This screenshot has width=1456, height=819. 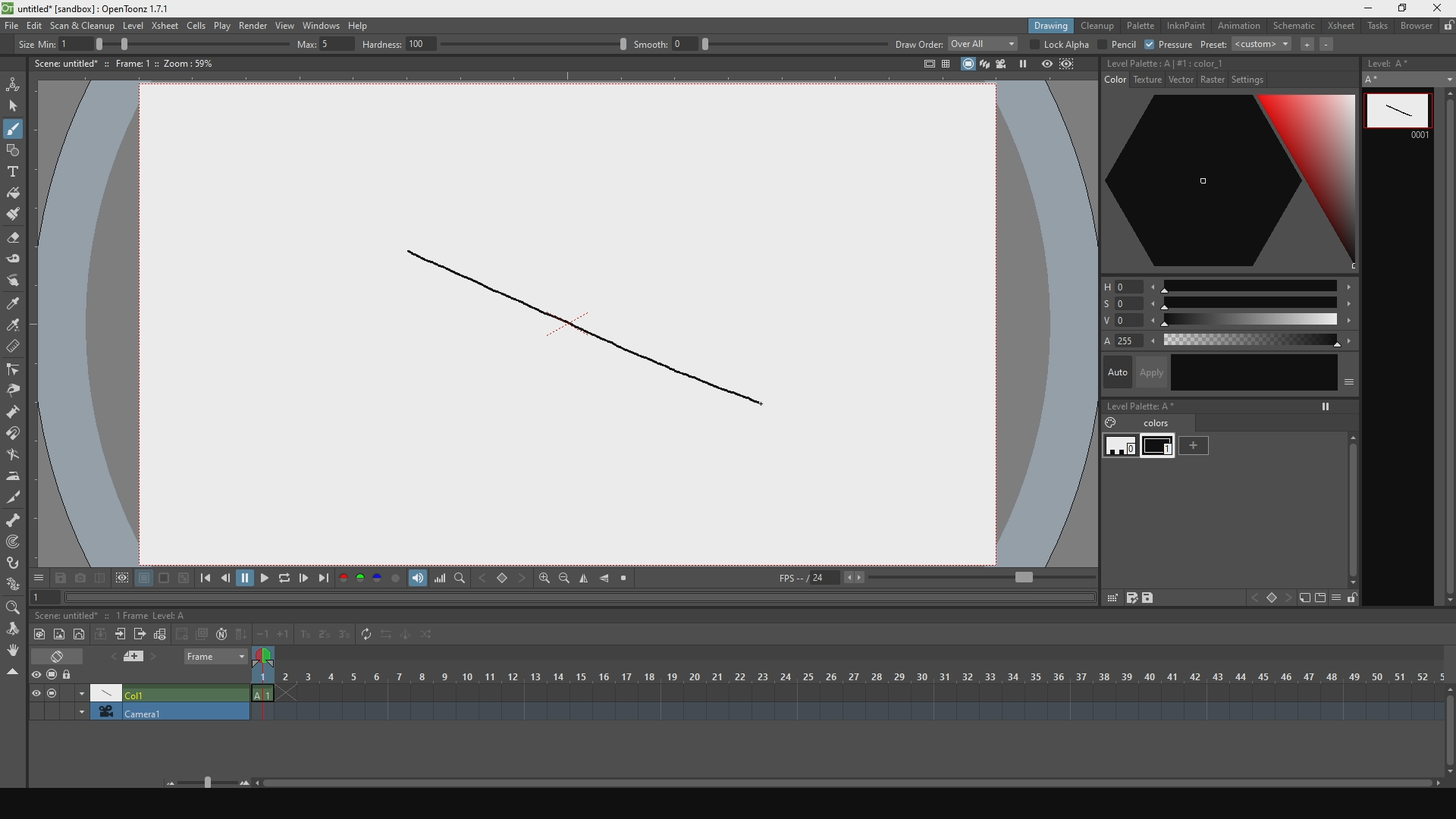 What do you see at coordinates (17, 83) in the screenshot?
I see `animate` at bounding box center [17, 83].